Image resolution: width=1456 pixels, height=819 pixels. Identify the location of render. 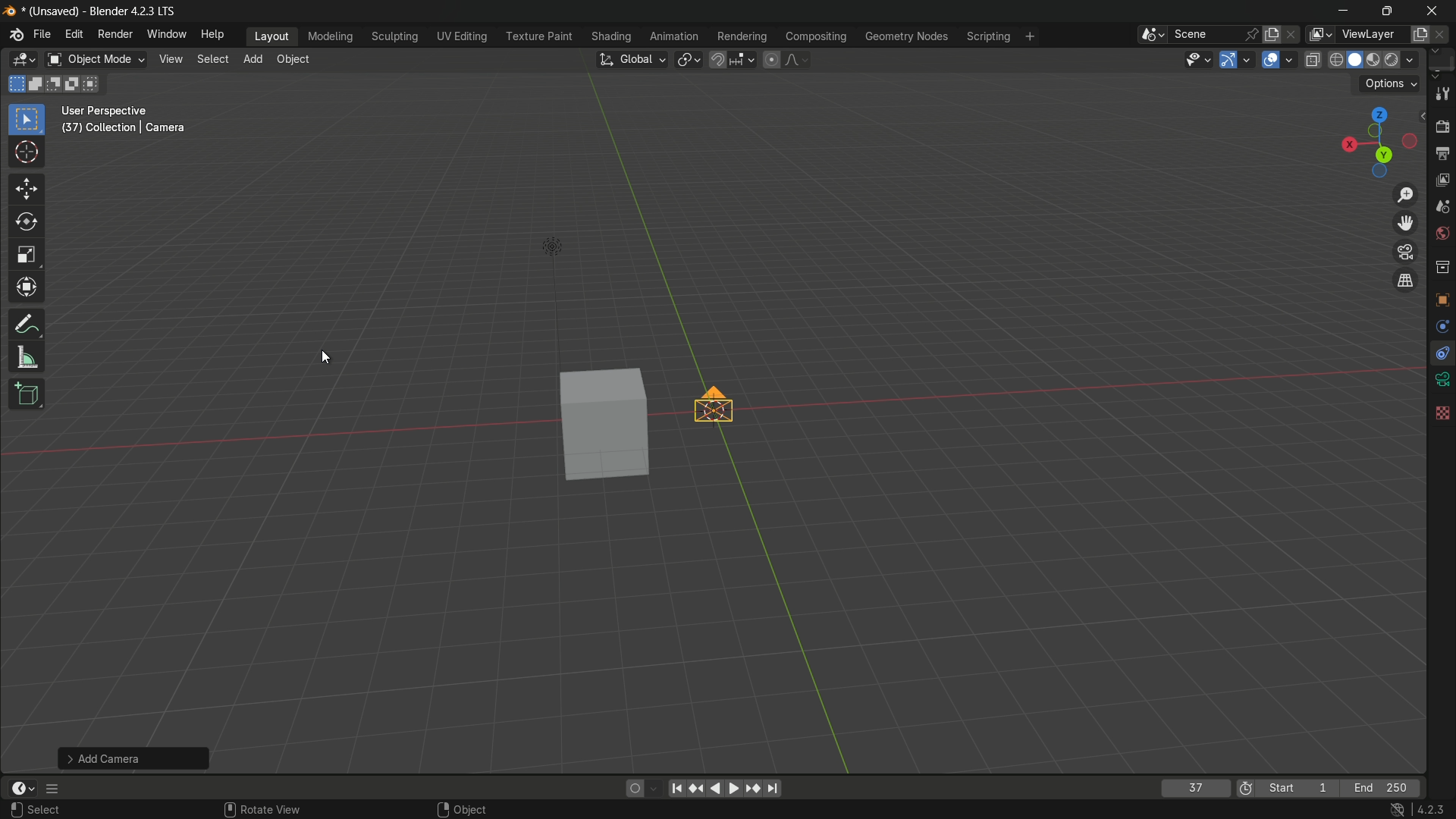
(1442, 123).